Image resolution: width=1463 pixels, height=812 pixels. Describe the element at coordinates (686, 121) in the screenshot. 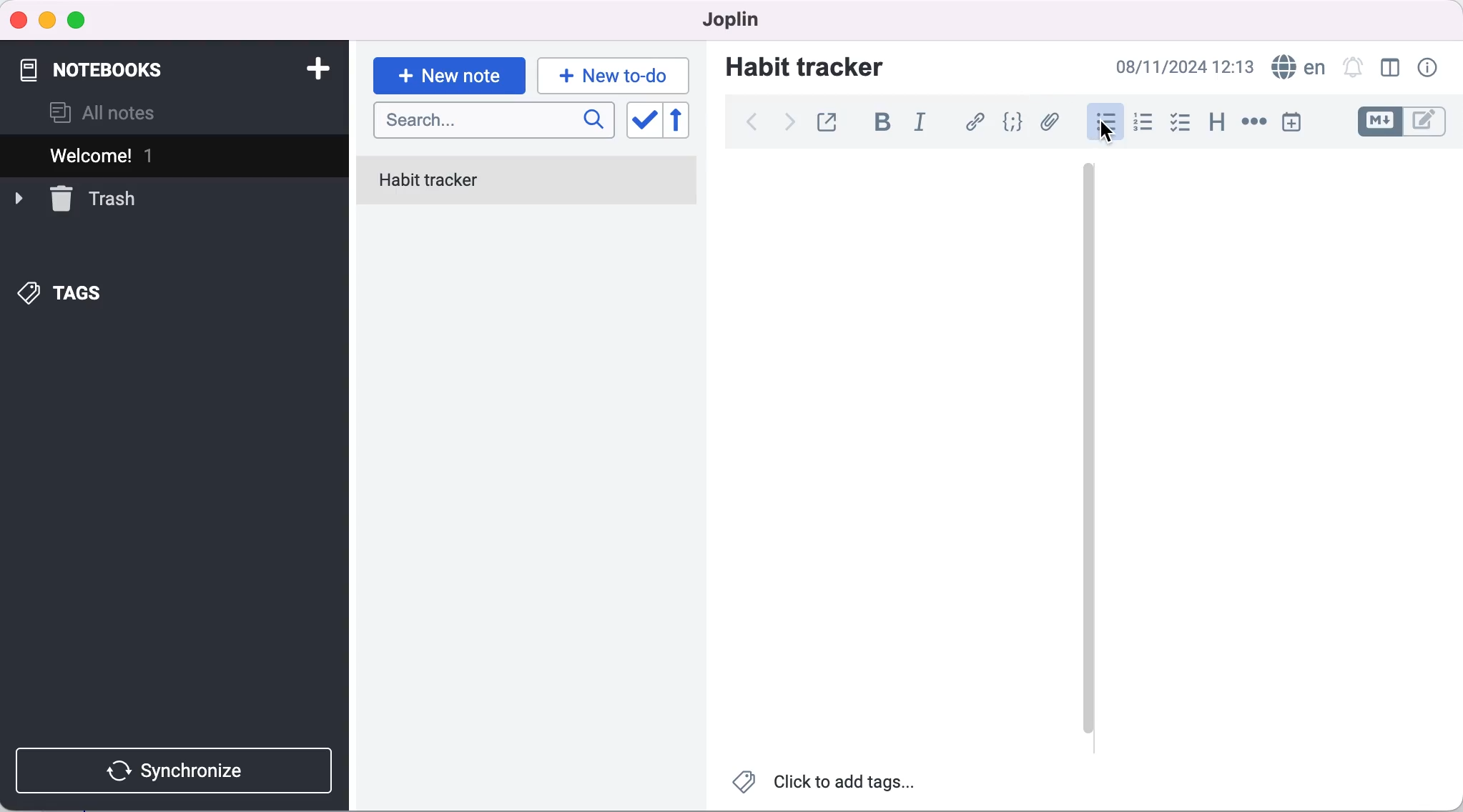

I see `reverse sort order` at that location.